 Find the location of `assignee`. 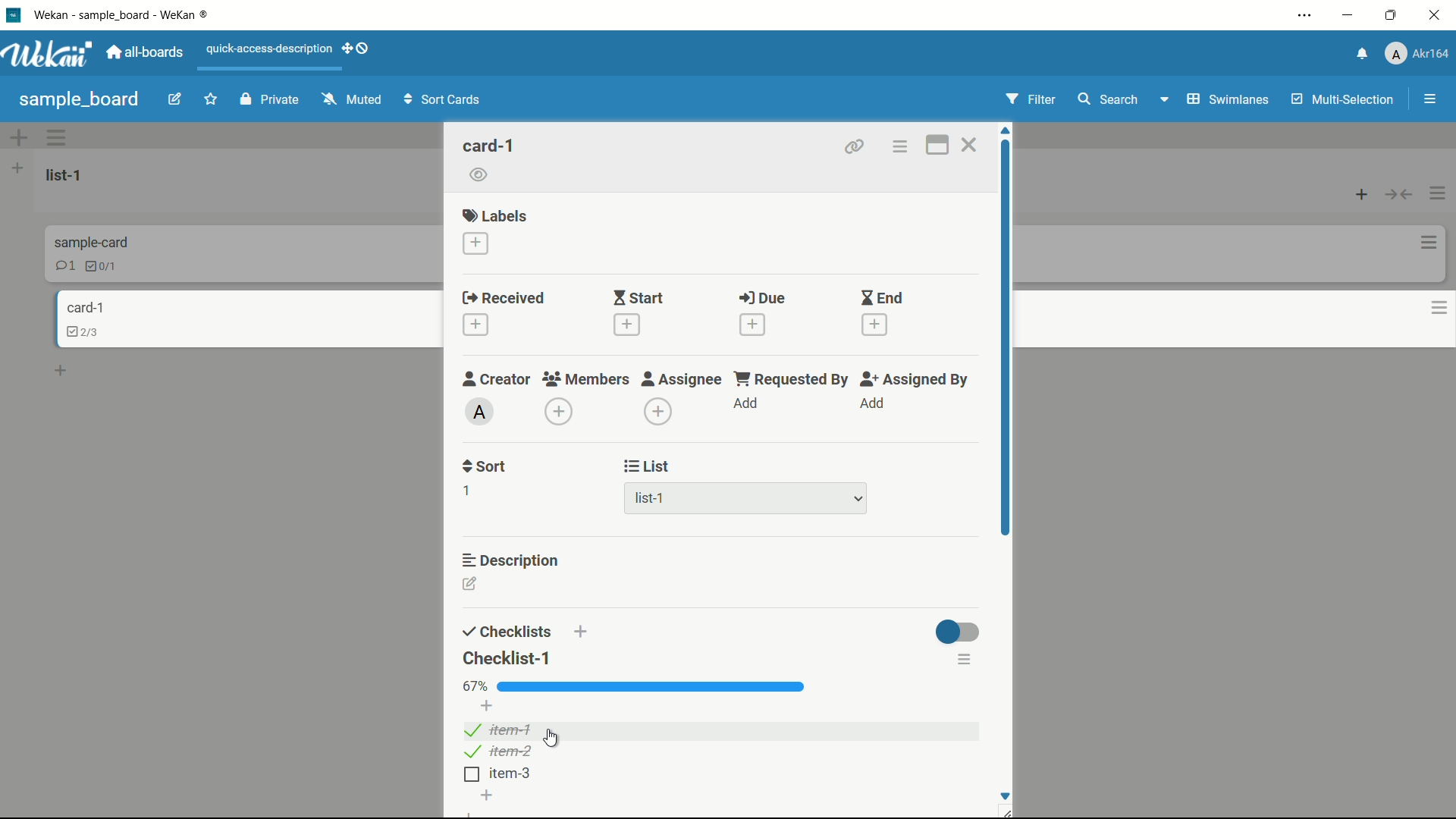

assignee is located at coordinates (682, 380).